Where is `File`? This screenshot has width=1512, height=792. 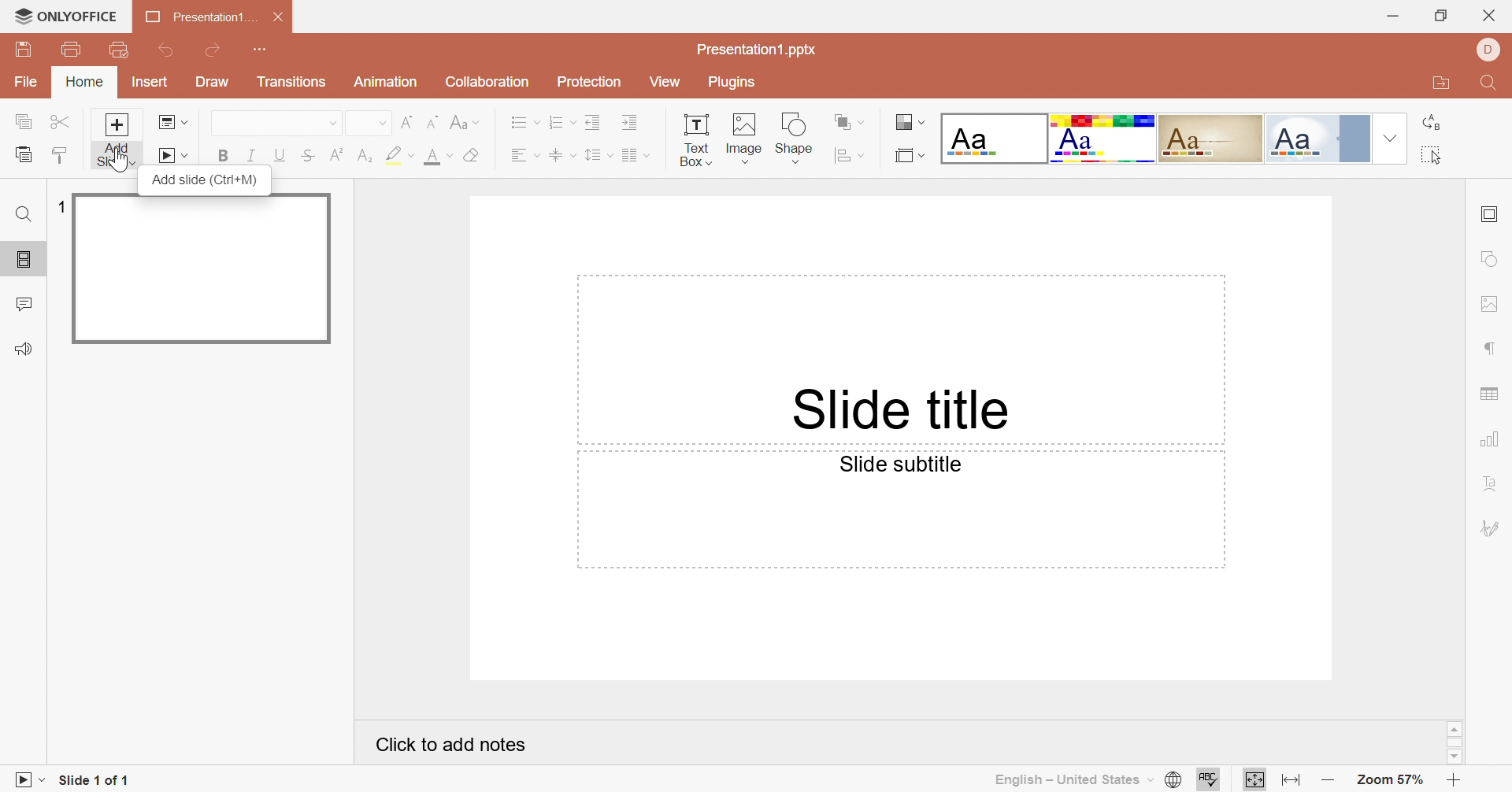 File is located at coordinates (26, 83).